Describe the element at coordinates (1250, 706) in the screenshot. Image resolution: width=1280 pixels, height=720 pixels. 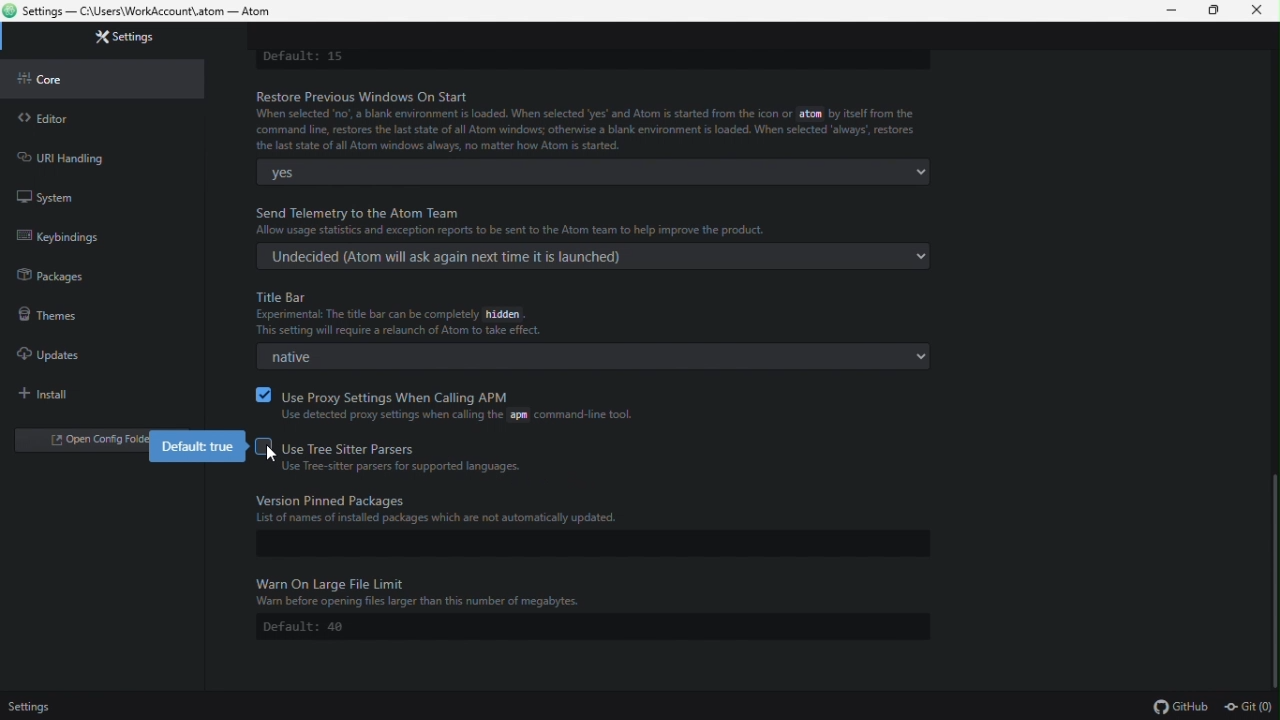
I see `Git (0)` at that location.